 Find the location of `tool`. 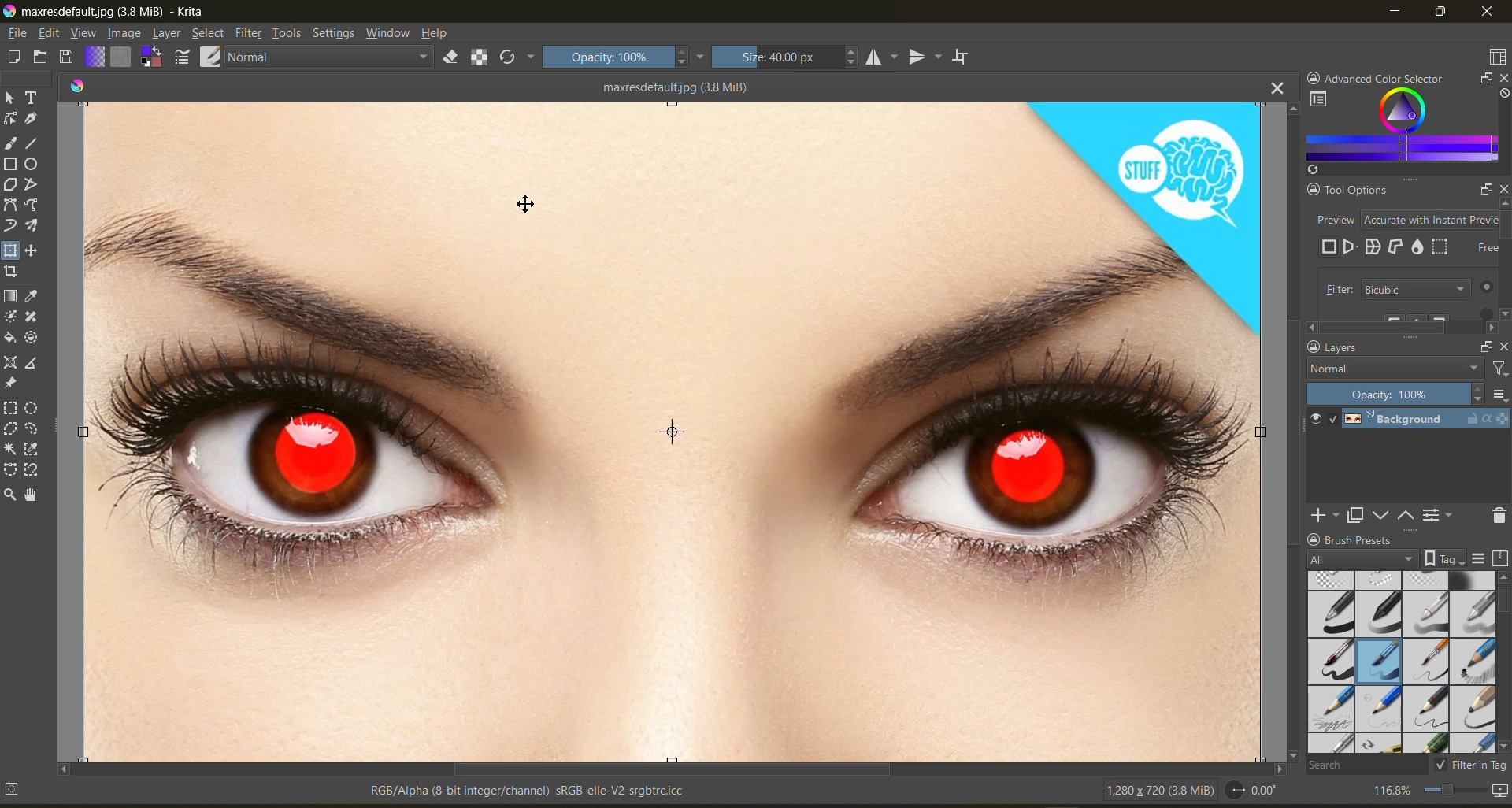

tool is located at coordinates (10, 144).